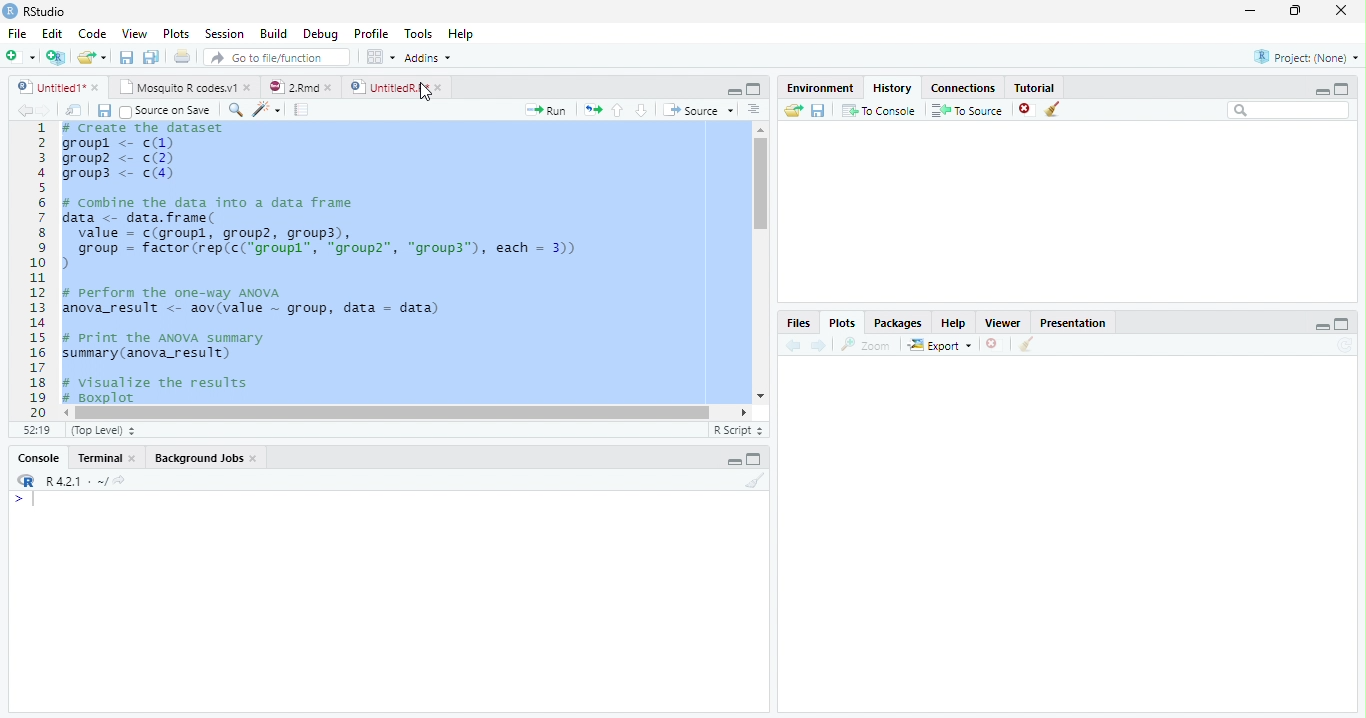 This screenshot has width=1366, height=718. I want to click on Help, so click(460, 36).